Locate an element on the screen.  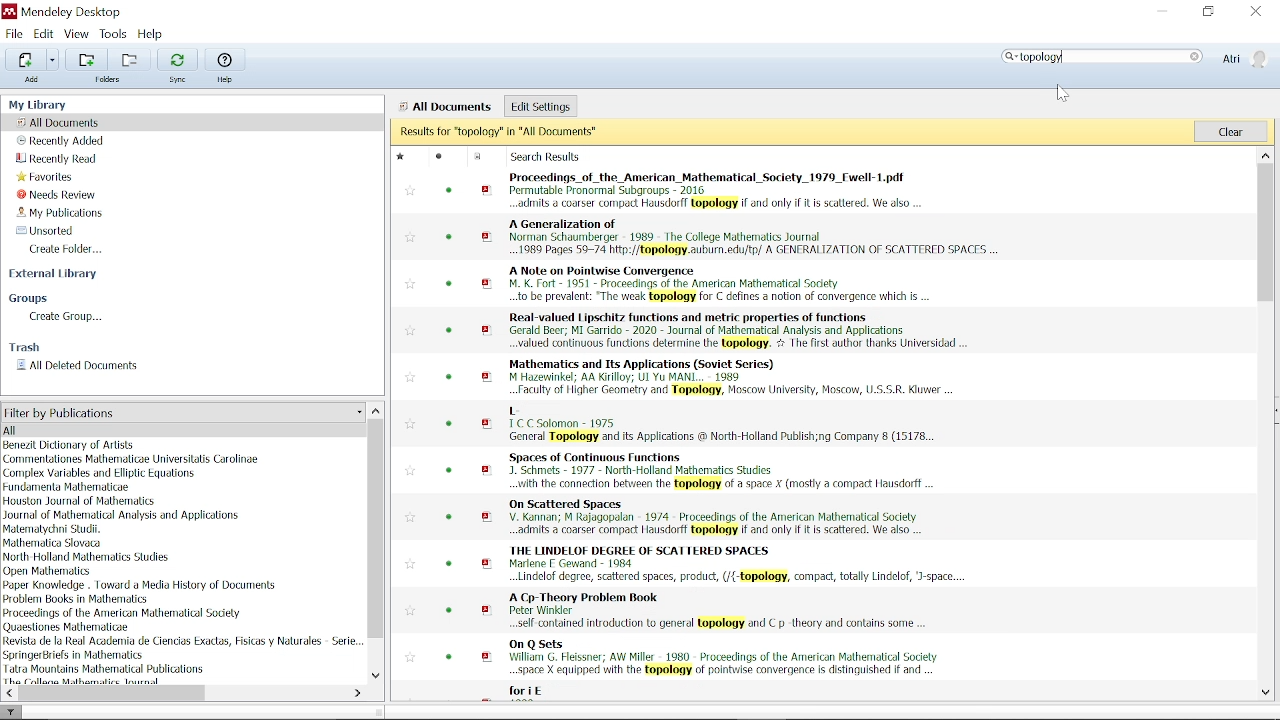
File is located at coordinates (15, 33).